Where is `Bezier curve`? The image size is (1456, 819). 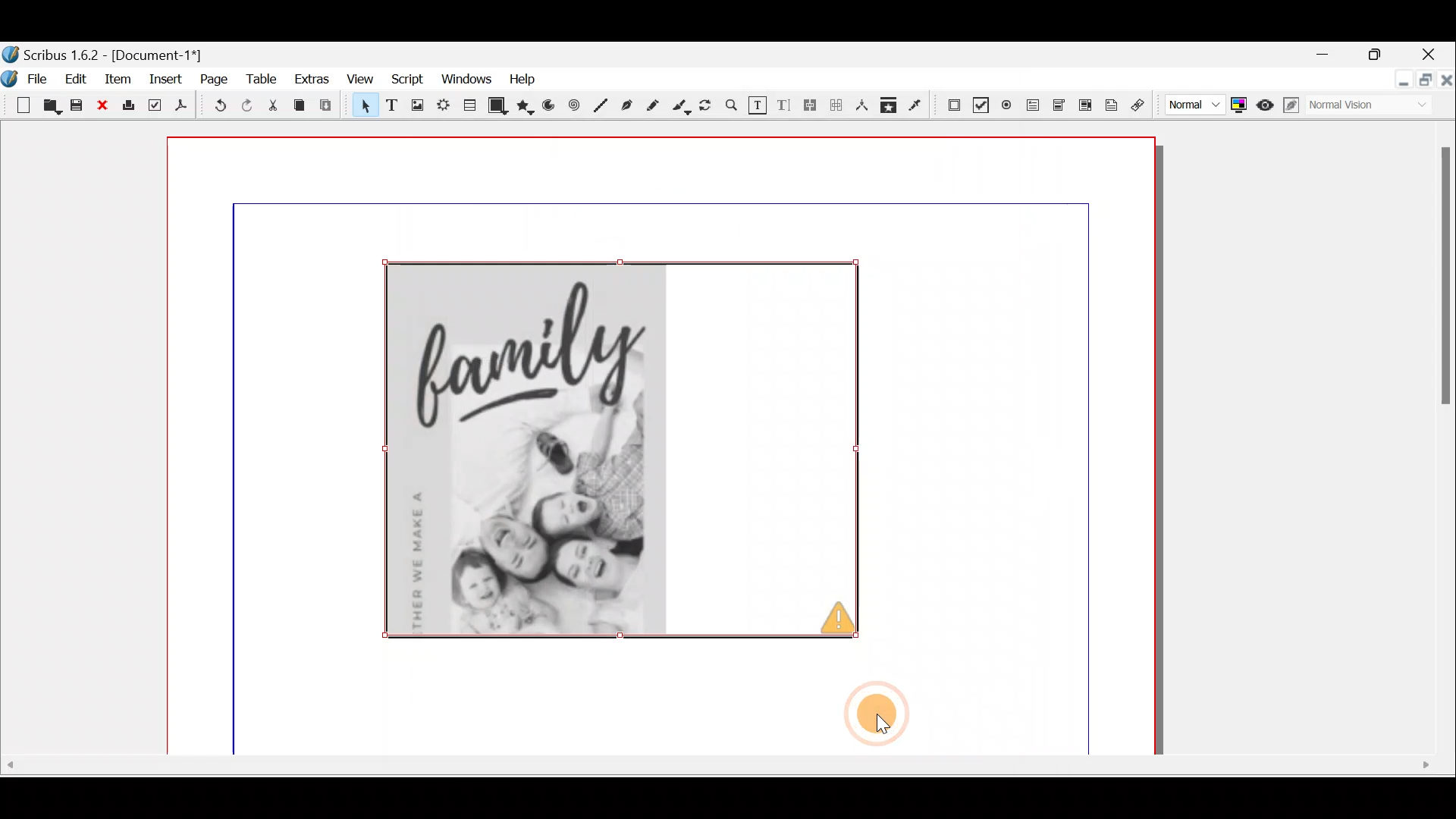
Bezier curve is located at coordinates (623, 106).